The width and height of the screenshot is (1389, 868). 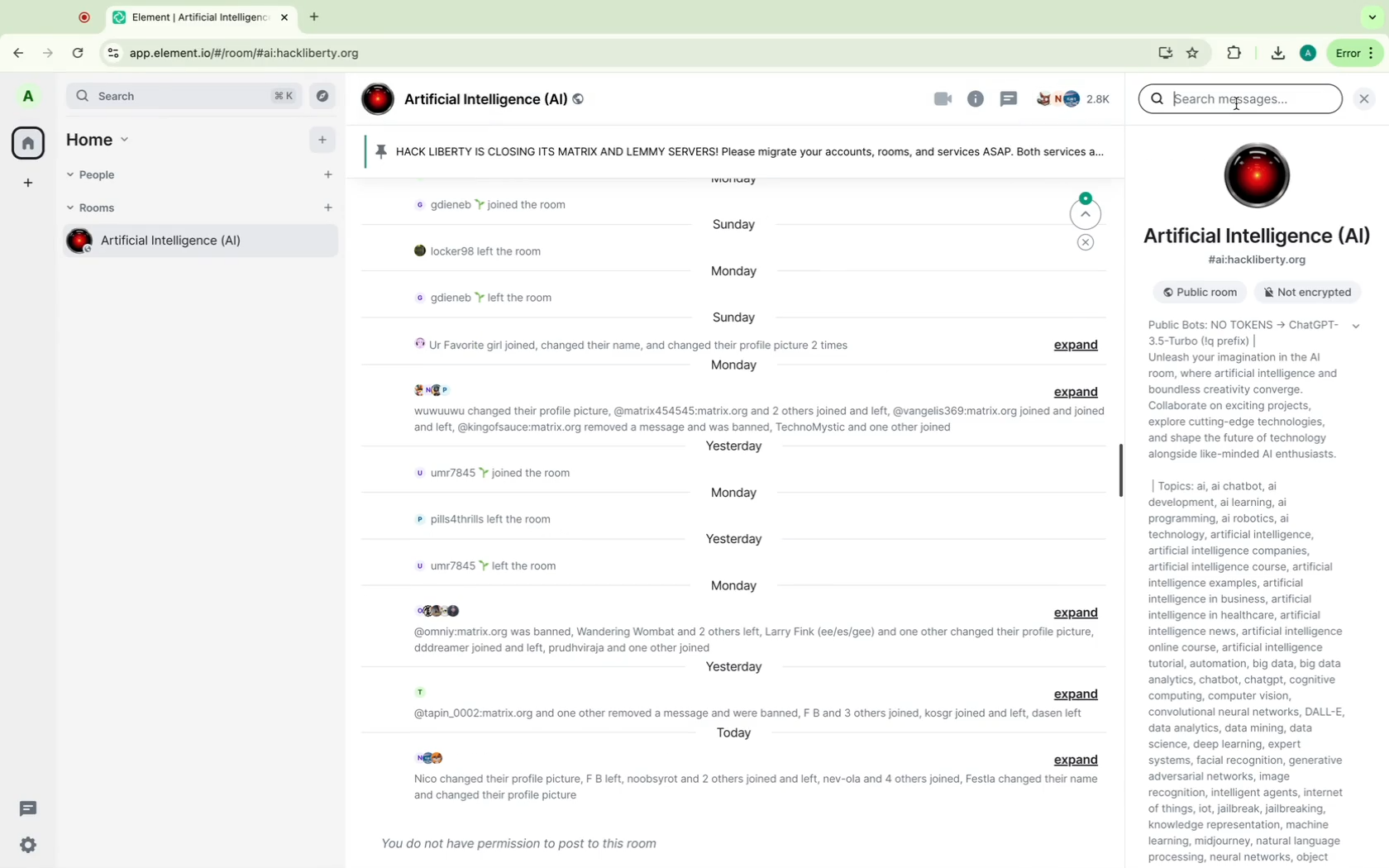 I want to click on message, so click(x=747, y=712).